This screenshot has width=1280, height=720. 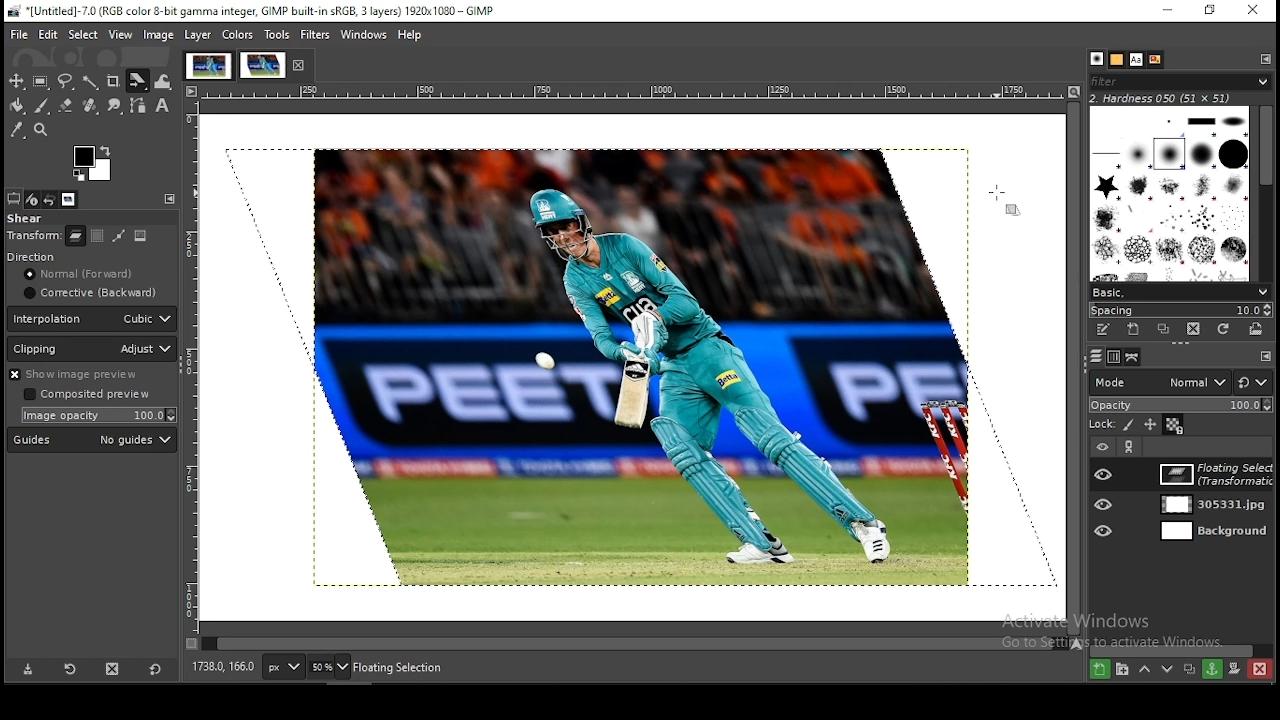 What do you see at coordinates (19, 130) in the screenshot?
I see `color picker tool` at bounding box center [19, 130].